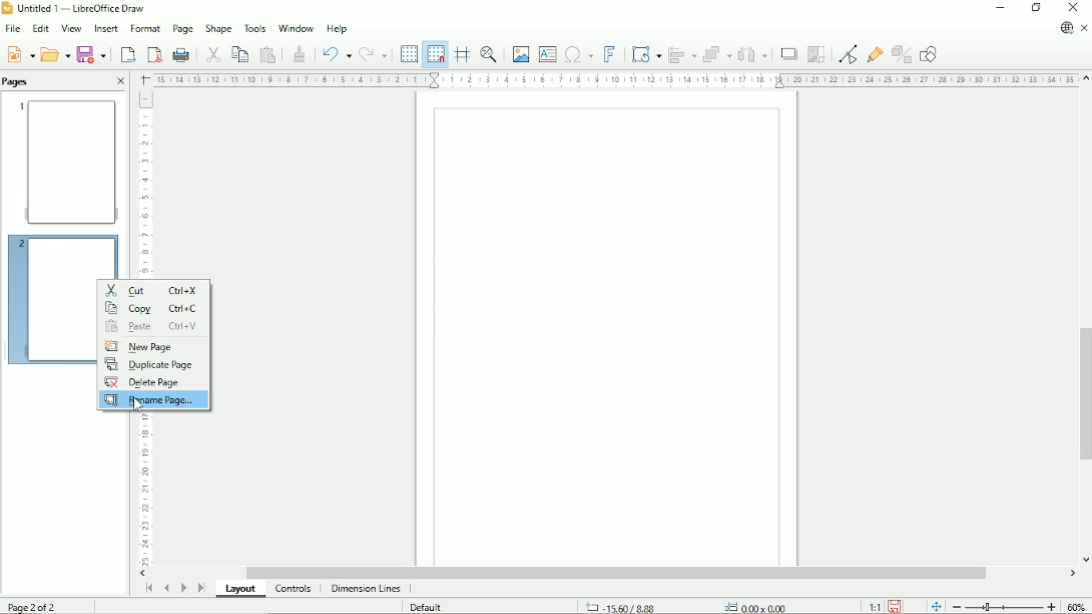  What do you see at coordinates (816, 54) in the screenshot?
I see `Crop image` at bounding box center [816, 54].